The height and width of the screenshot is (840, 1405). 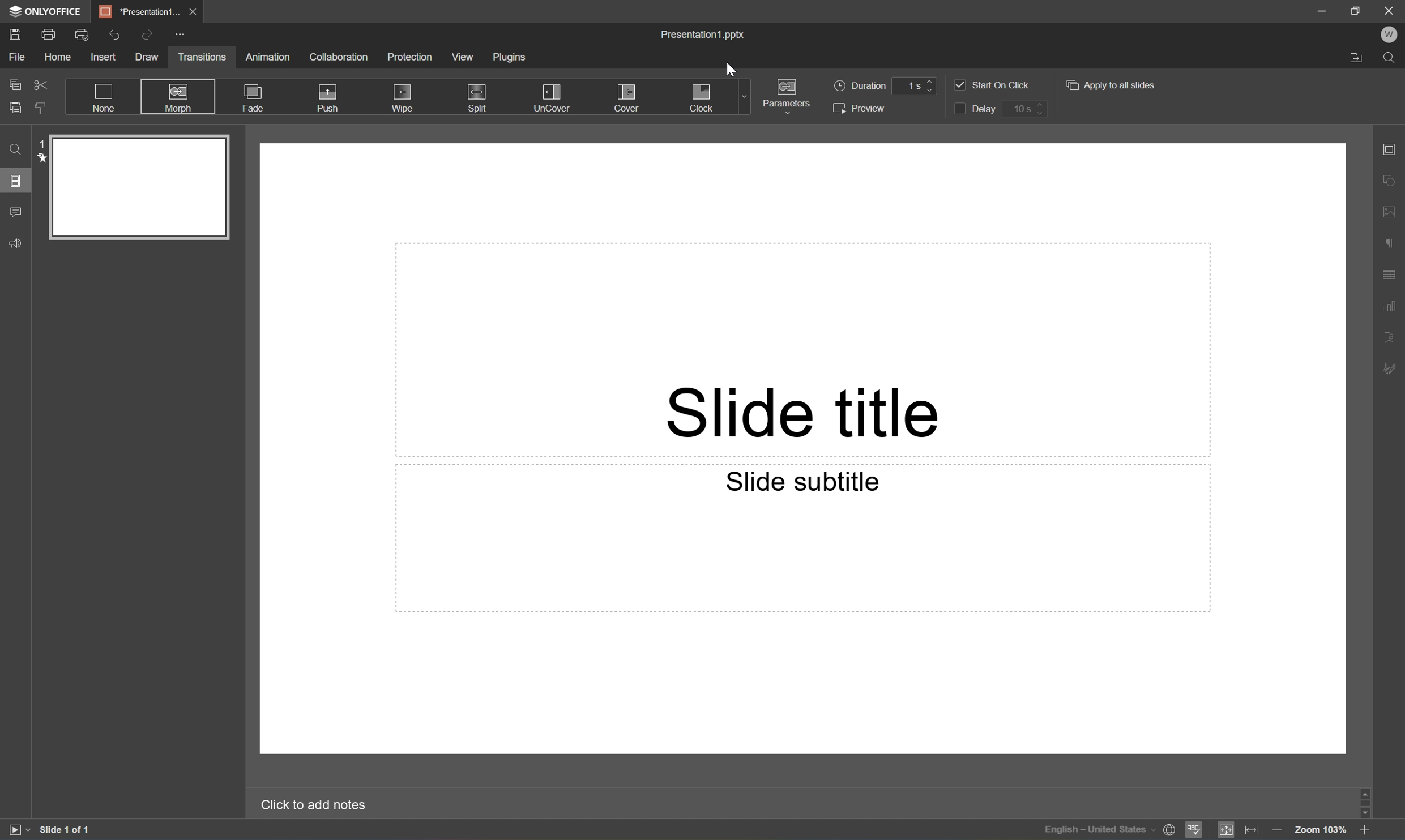 I want to click on Slides, so click(x=17, y=181).